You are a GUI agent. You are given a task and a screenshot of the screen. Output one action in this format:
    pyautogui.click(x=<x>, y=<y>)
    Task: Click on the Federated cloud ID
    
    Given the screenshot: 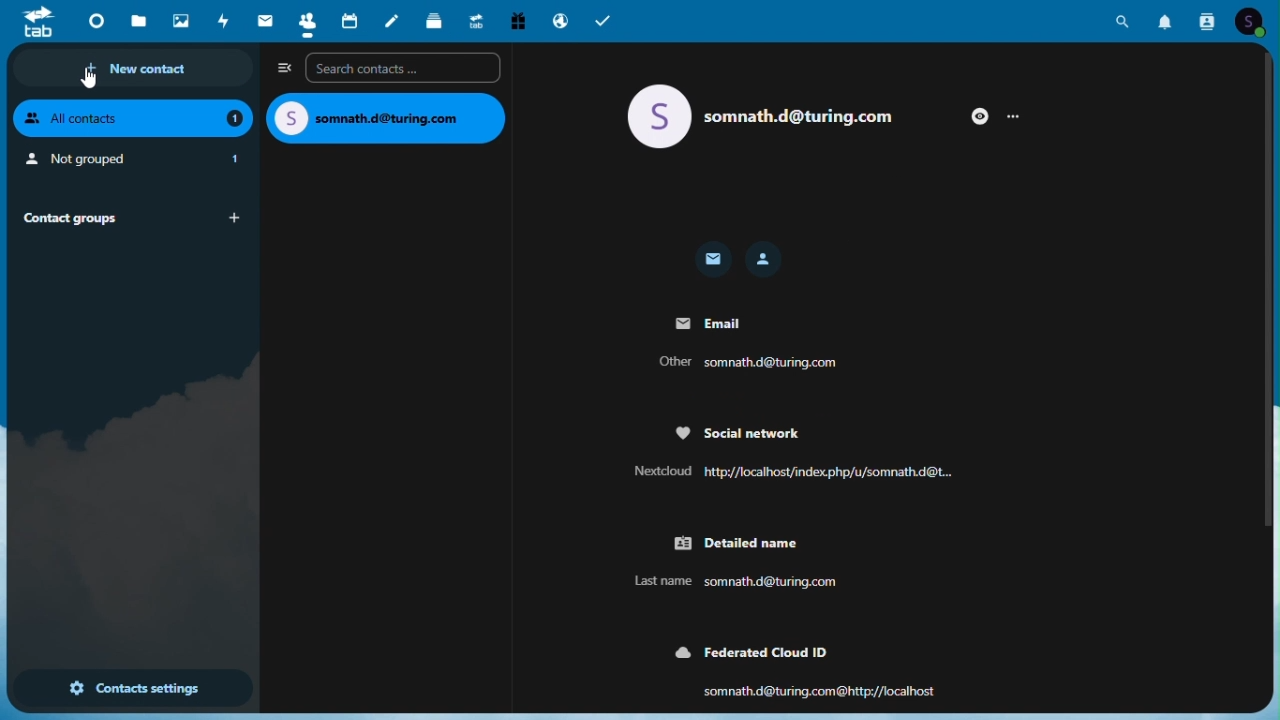 What is the action you would take?
    pyautogui.click(x=794, y=671)
    